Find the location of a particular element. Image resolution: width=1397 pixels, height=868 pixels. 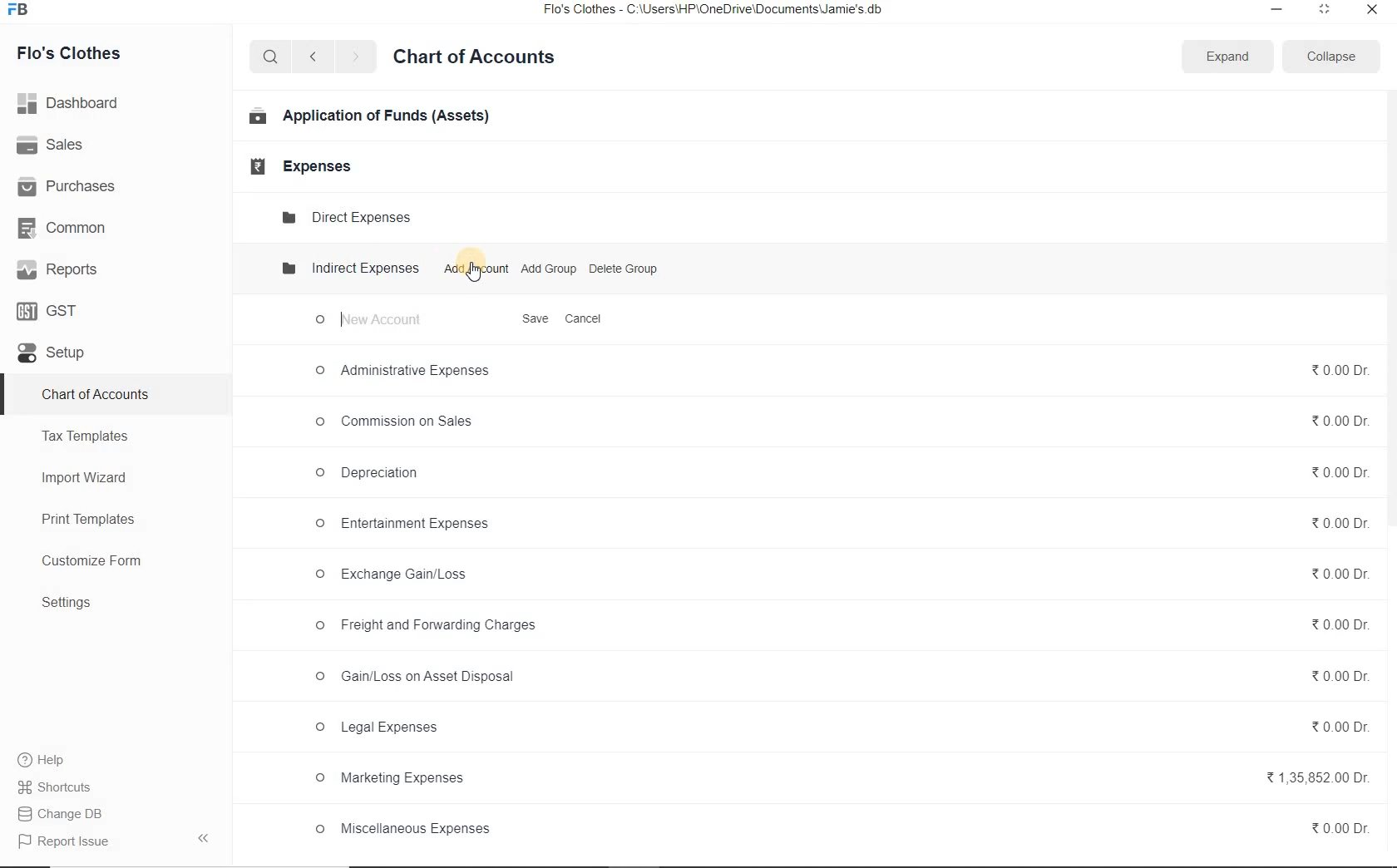

O Entertainment Expenses %0.00Dr. is located at coordinates (839, 525).